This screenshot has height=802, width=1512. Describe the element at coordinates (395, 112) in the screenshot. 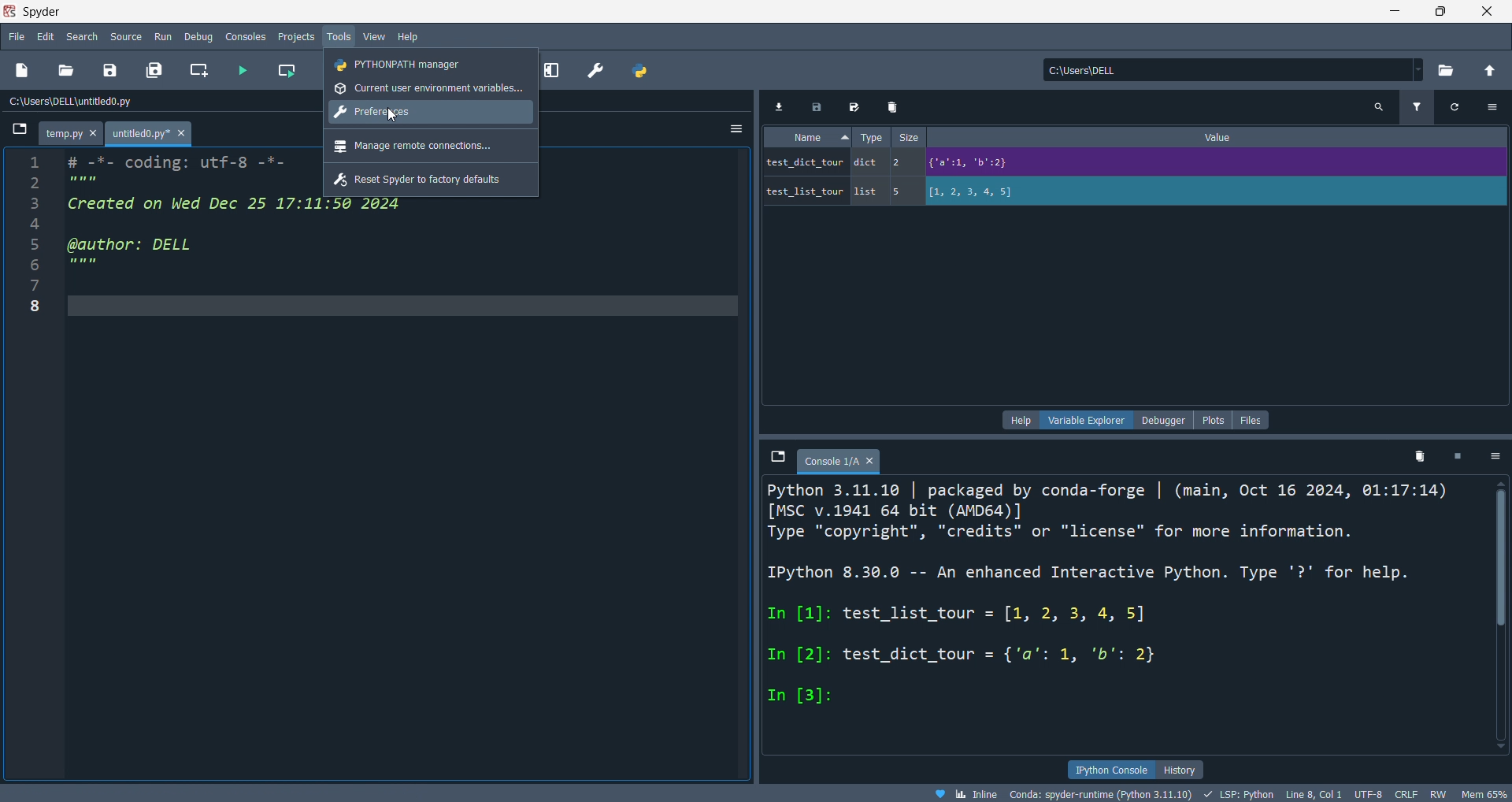

I see `cursor` at that location.